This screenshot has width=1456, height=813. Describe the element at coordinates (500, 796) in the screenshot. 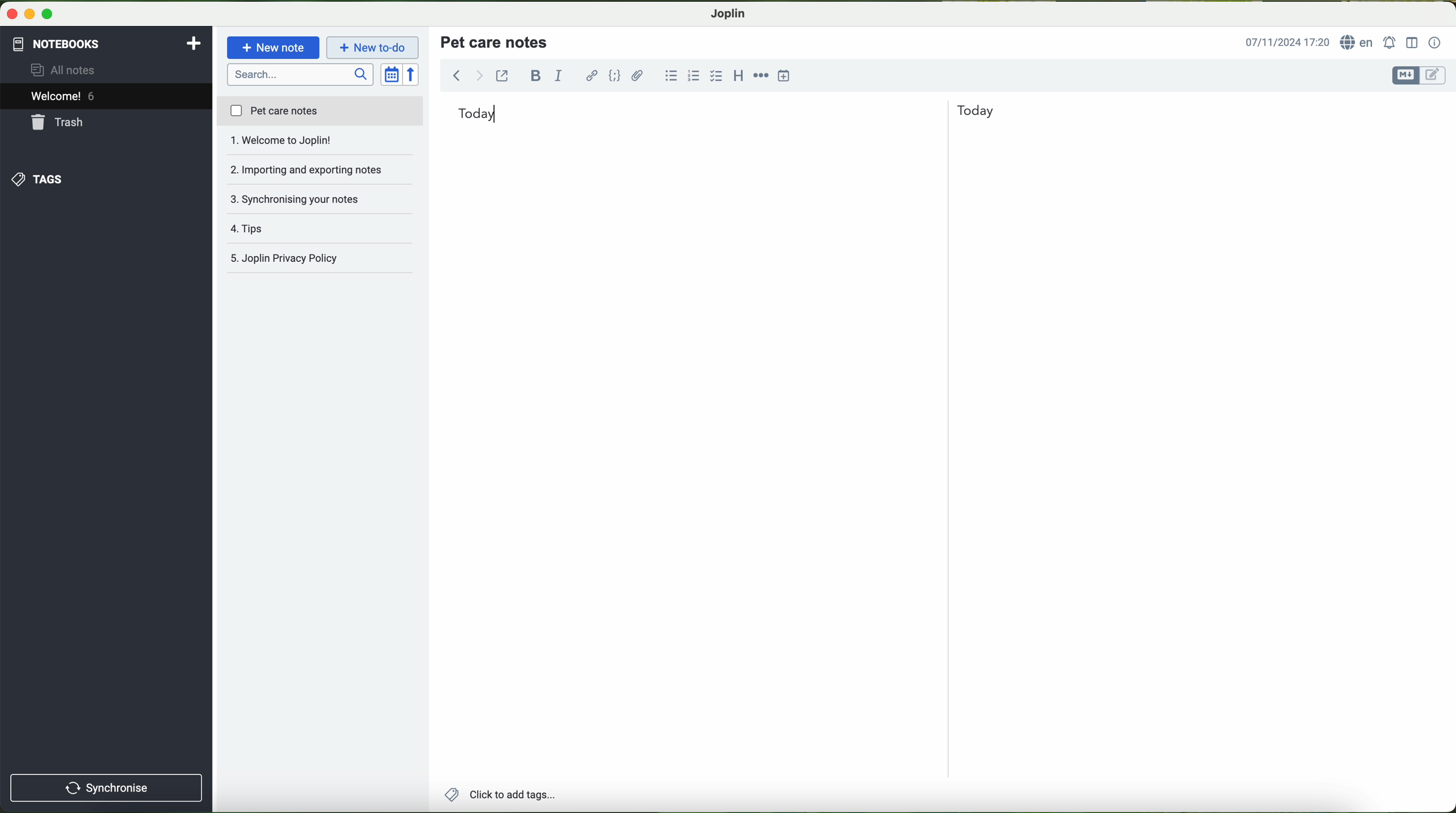

I see `add tags` at that location.